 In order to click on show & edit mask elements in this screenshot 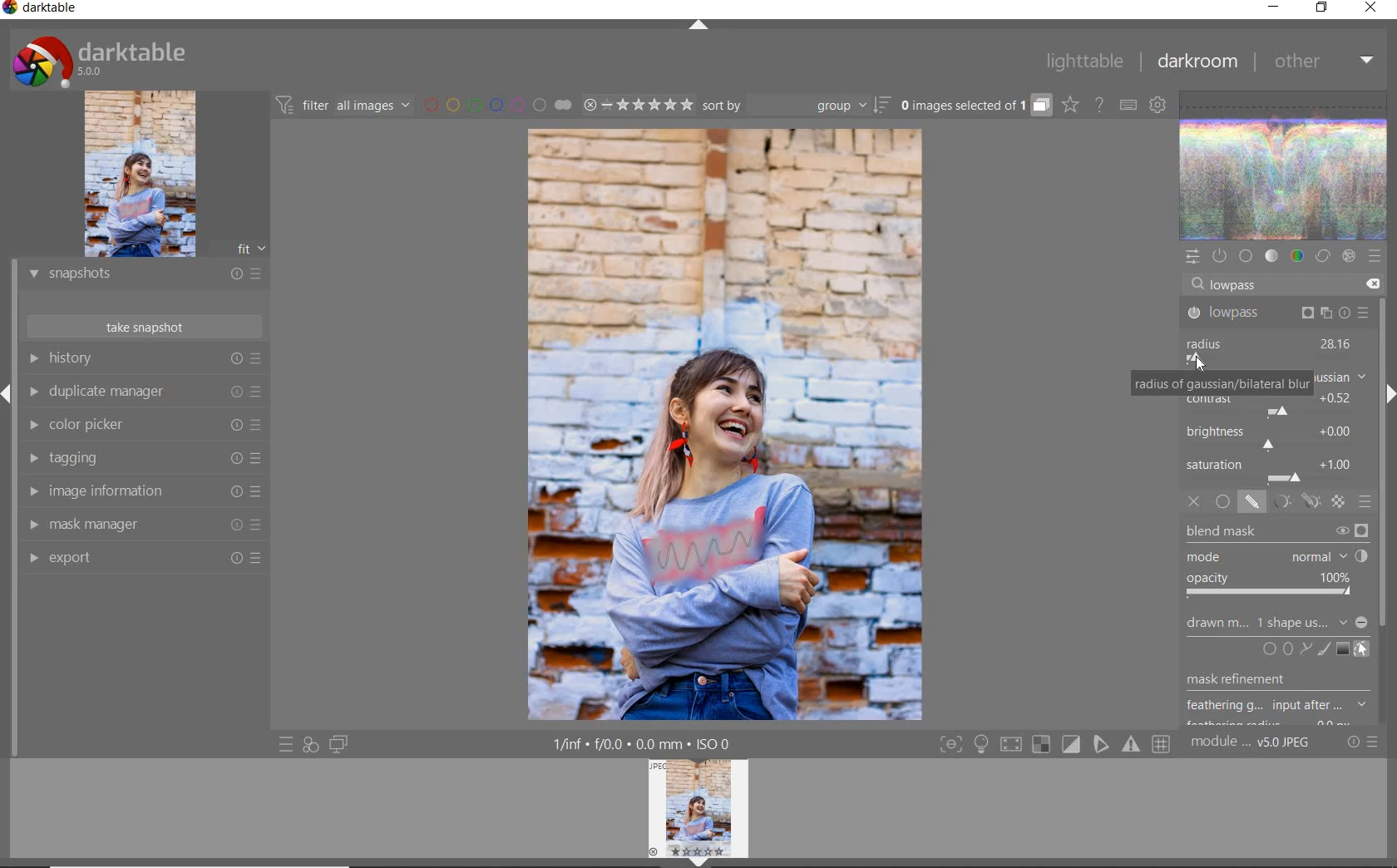, I will do `click(1362, 650)`.